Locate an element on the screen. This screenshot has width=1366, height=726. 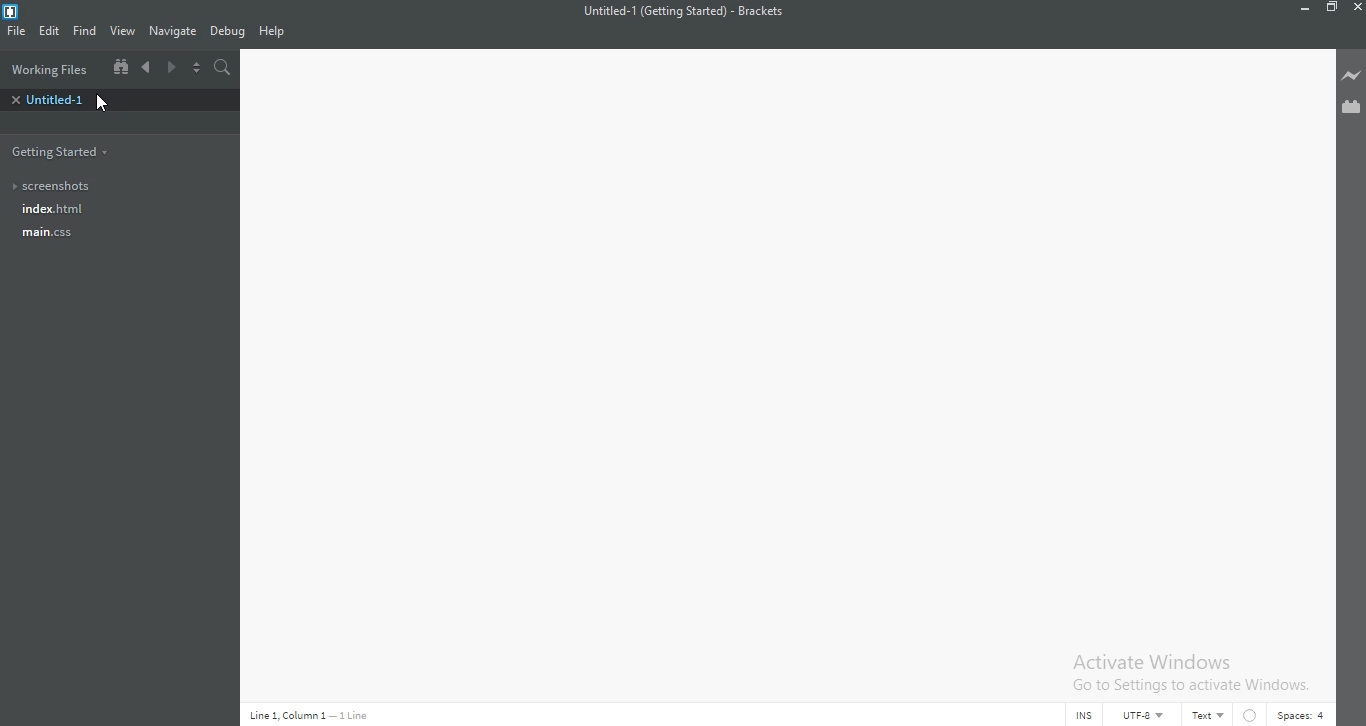
Spaces:4 is located at coordinates (1301, 716).